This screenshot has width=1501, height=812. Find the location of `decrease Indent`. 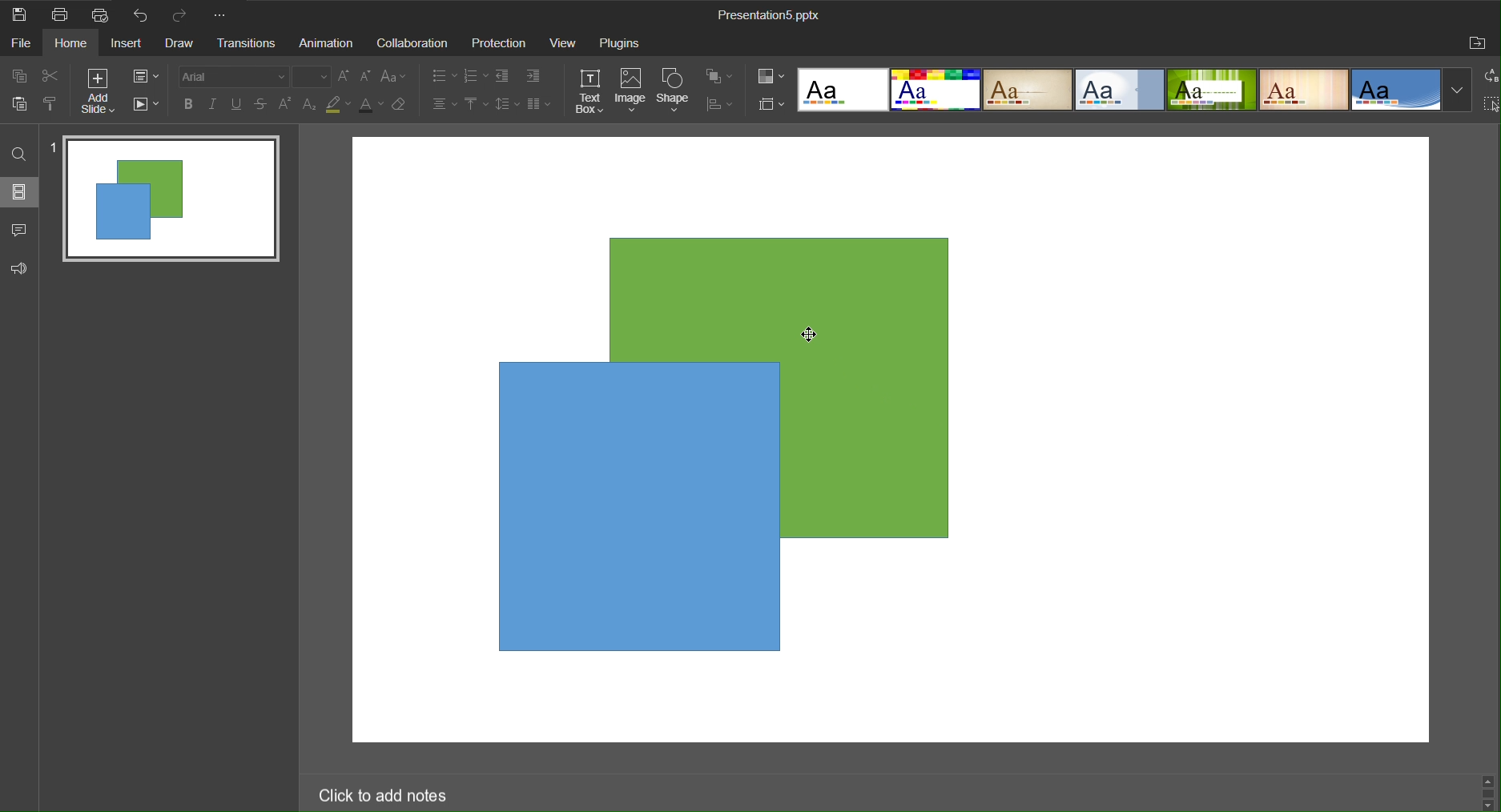

decrease Indent is located at coordinates (501, 77).